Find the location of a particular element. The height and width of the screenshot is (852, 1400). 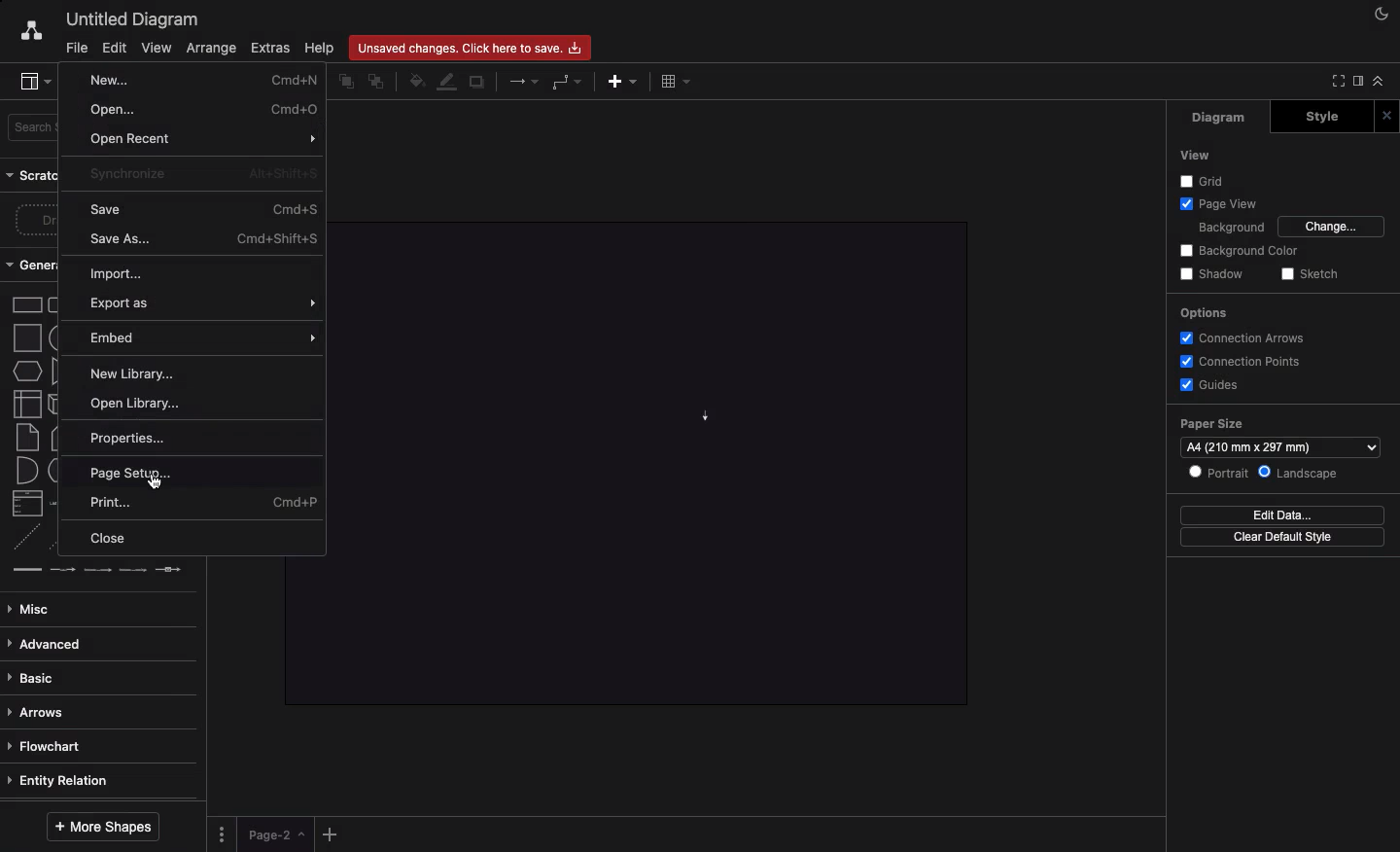

Full screen is located at coordinates (1334, 82).